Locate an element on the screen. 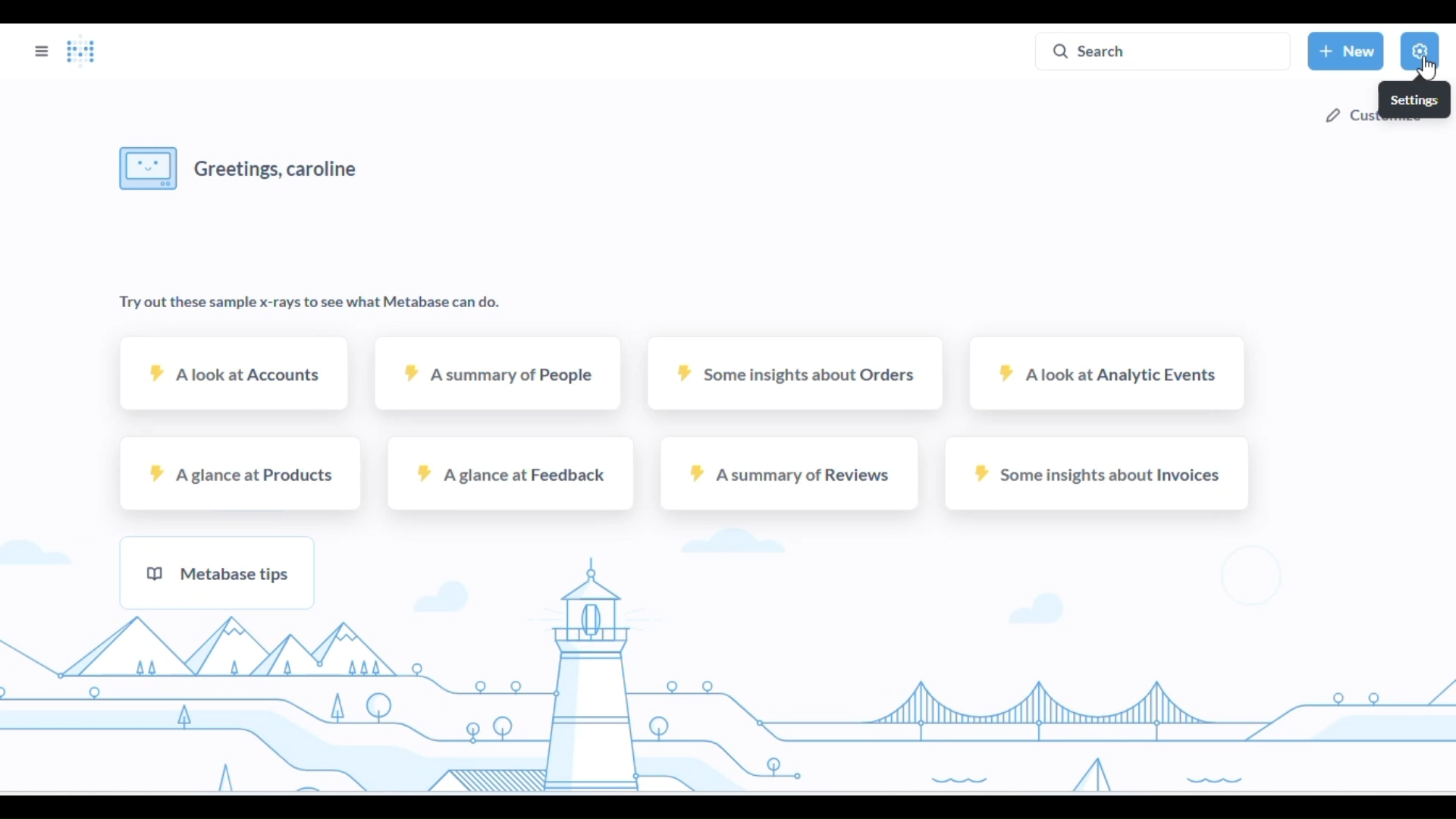 This screenshot has width=1456, height=819. logo is located at coordinates (80, 52).